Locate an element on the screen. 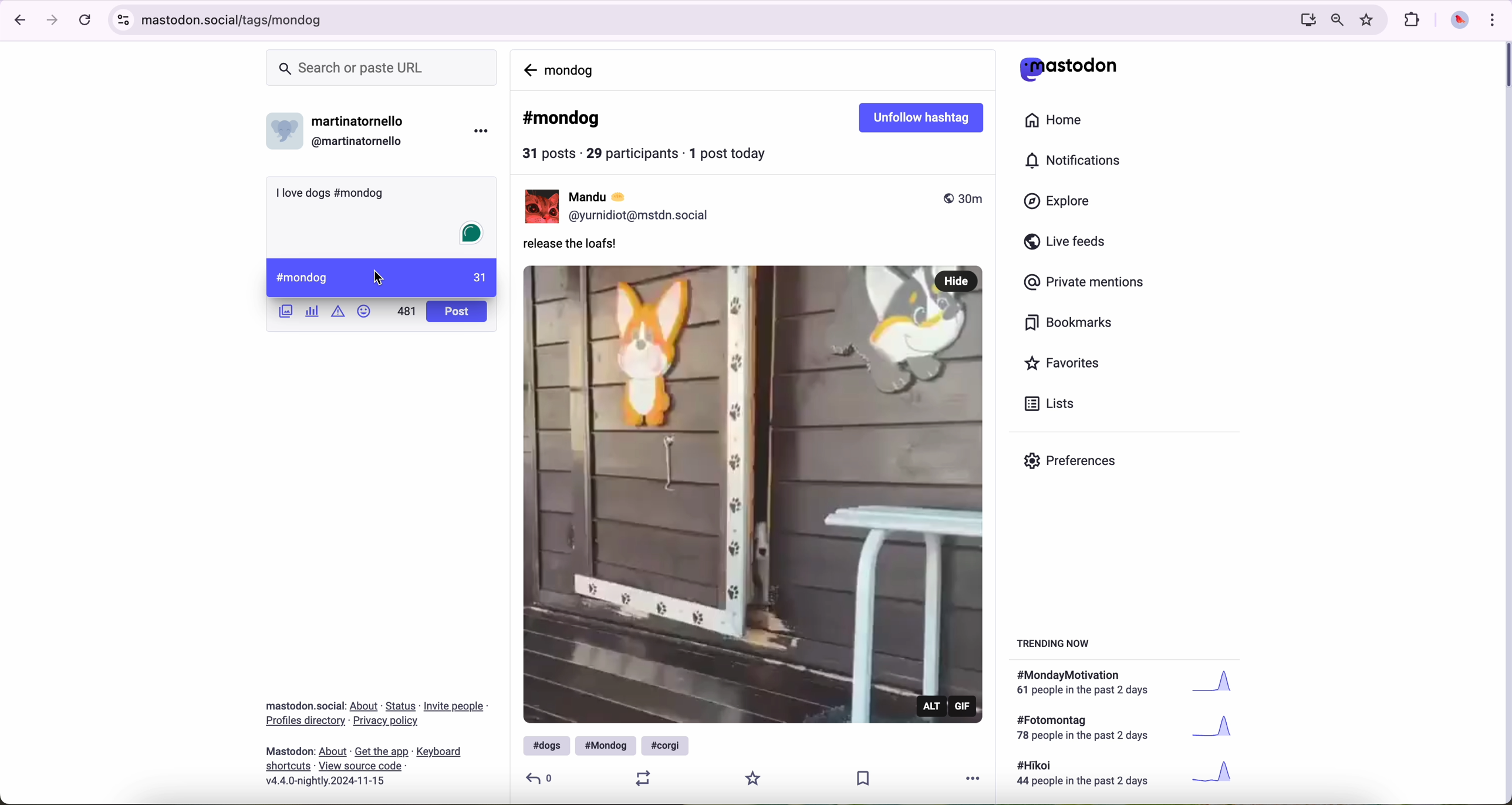  unfollow hashtag is located at coordinates (924, 118).